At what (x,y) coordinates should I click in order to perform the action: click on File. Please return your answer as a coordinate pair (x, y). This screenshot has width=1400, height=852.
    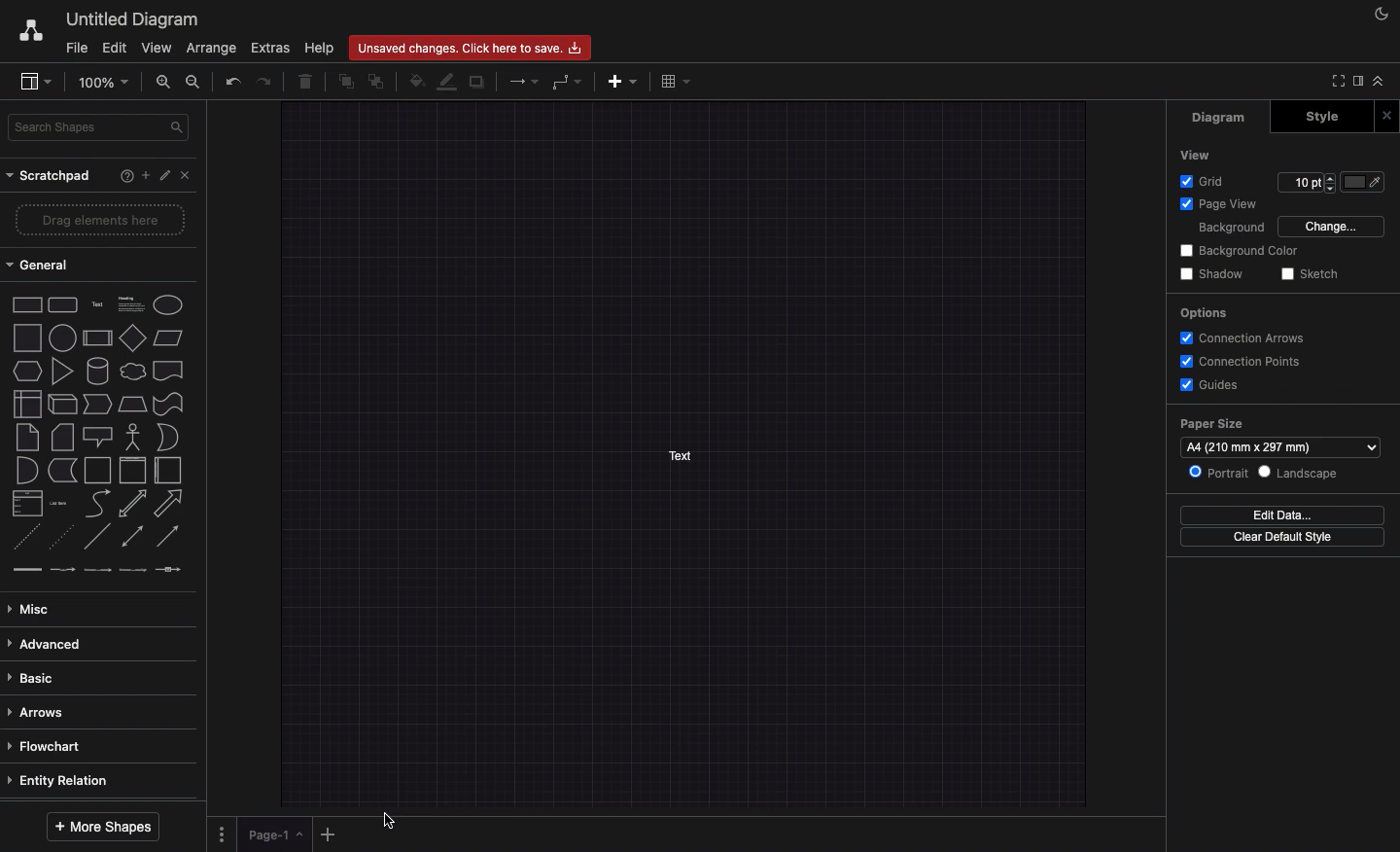
    Looking at the image, I should click on (78, 49).